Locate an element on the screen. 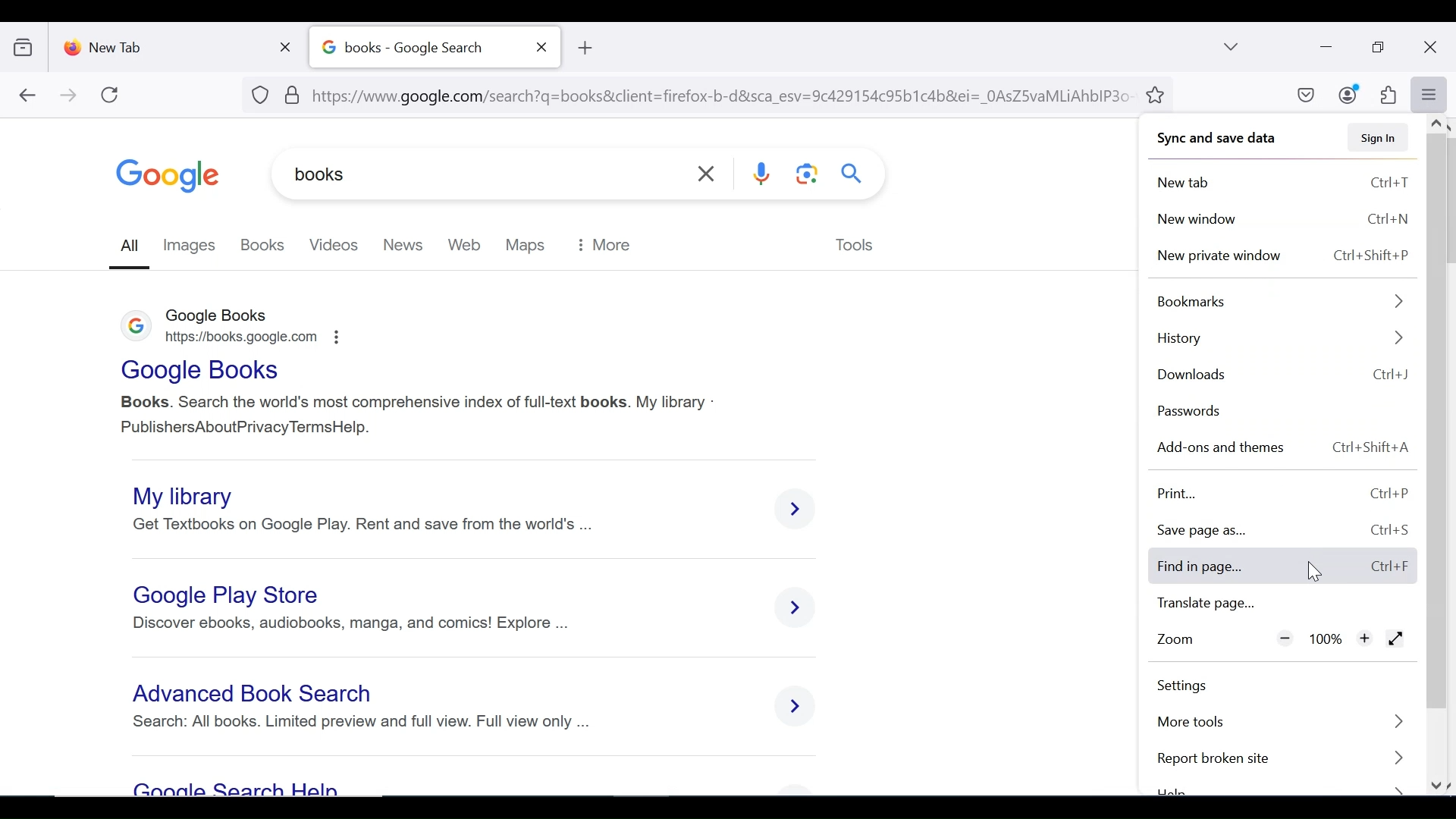 The image size is (1456, 819). find in page is located at coordinates (1287, 494).